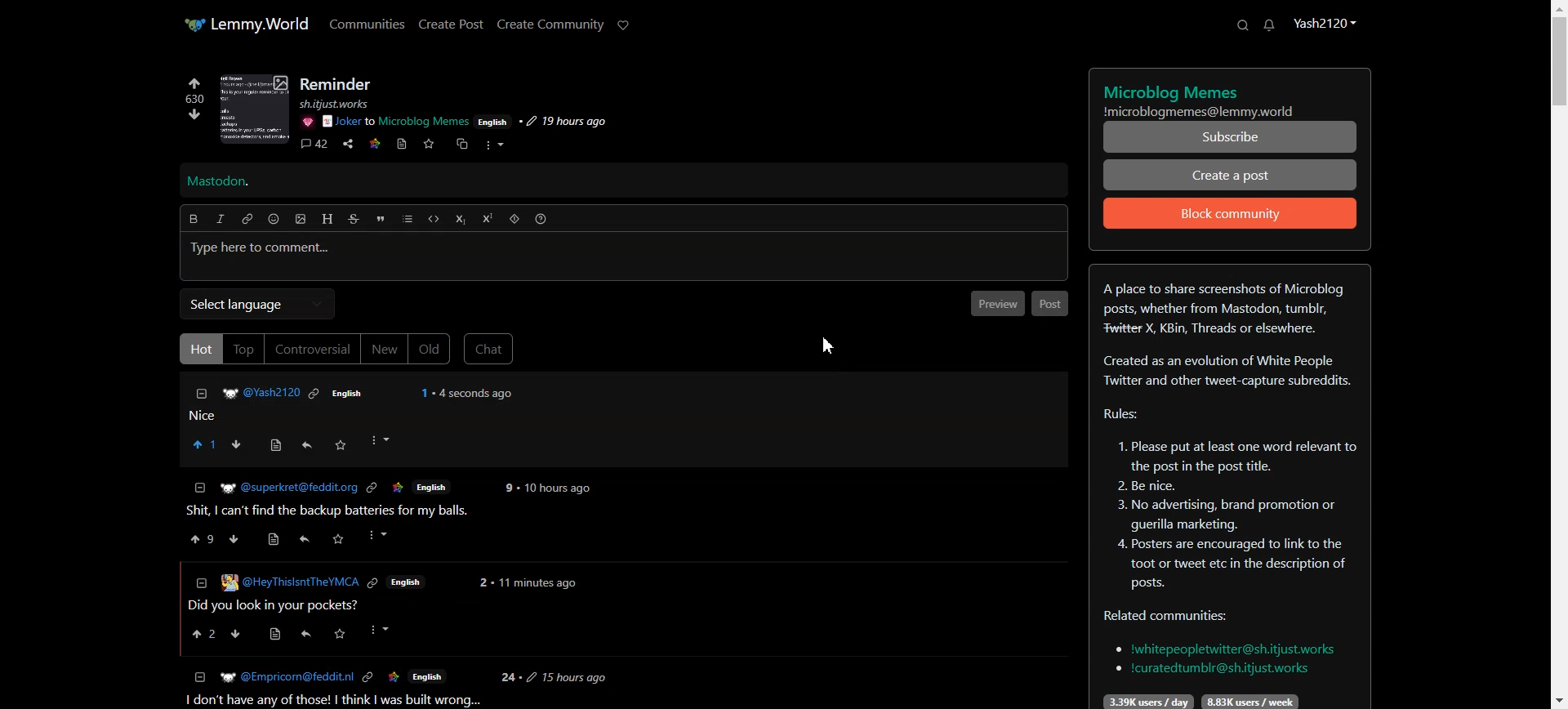  What do you see at coordinates (313, 349) in the screenshot?
I see `Controversial` at bounding box center [313, 349].